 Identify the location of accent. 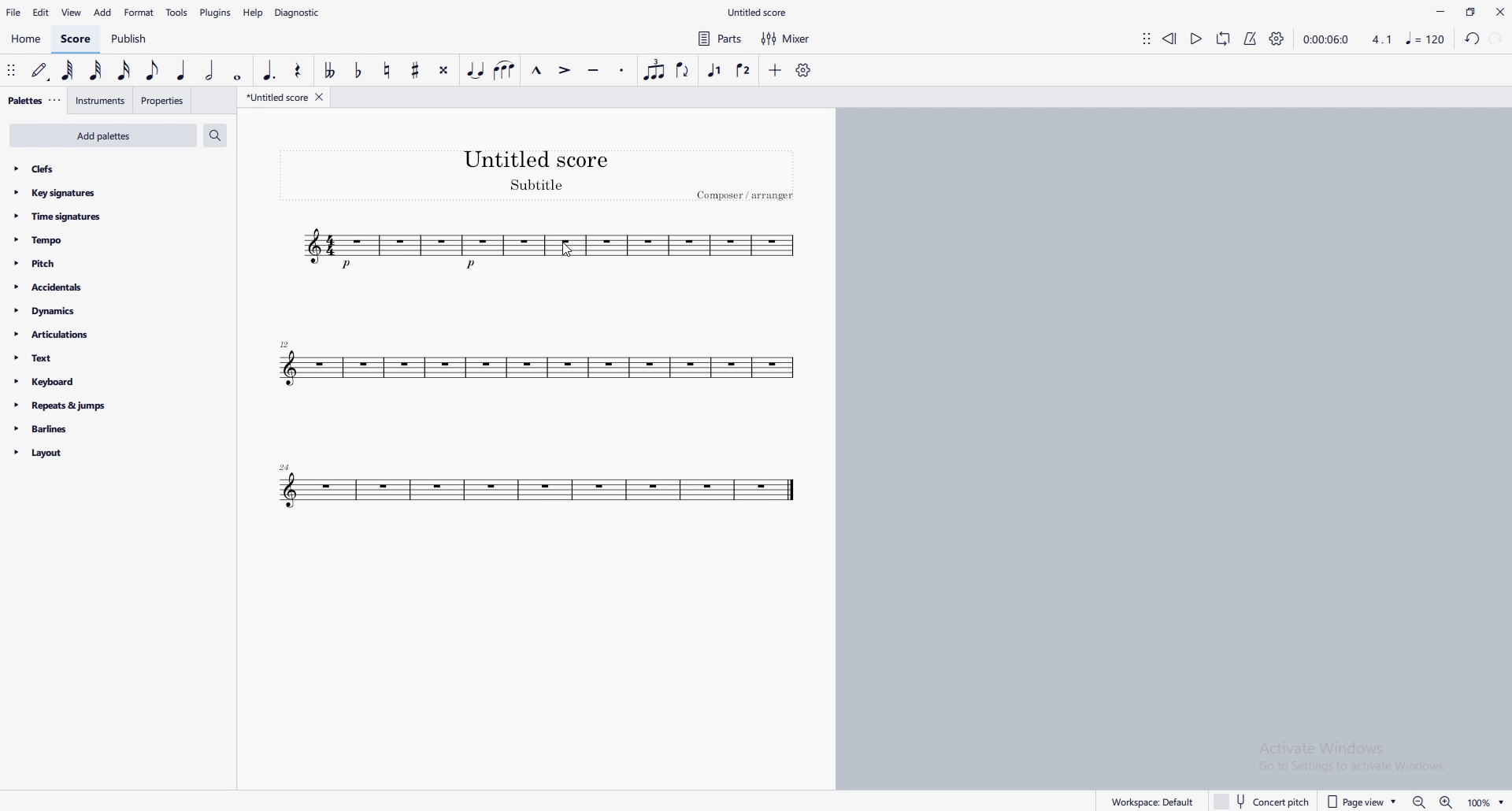
(566, 70).